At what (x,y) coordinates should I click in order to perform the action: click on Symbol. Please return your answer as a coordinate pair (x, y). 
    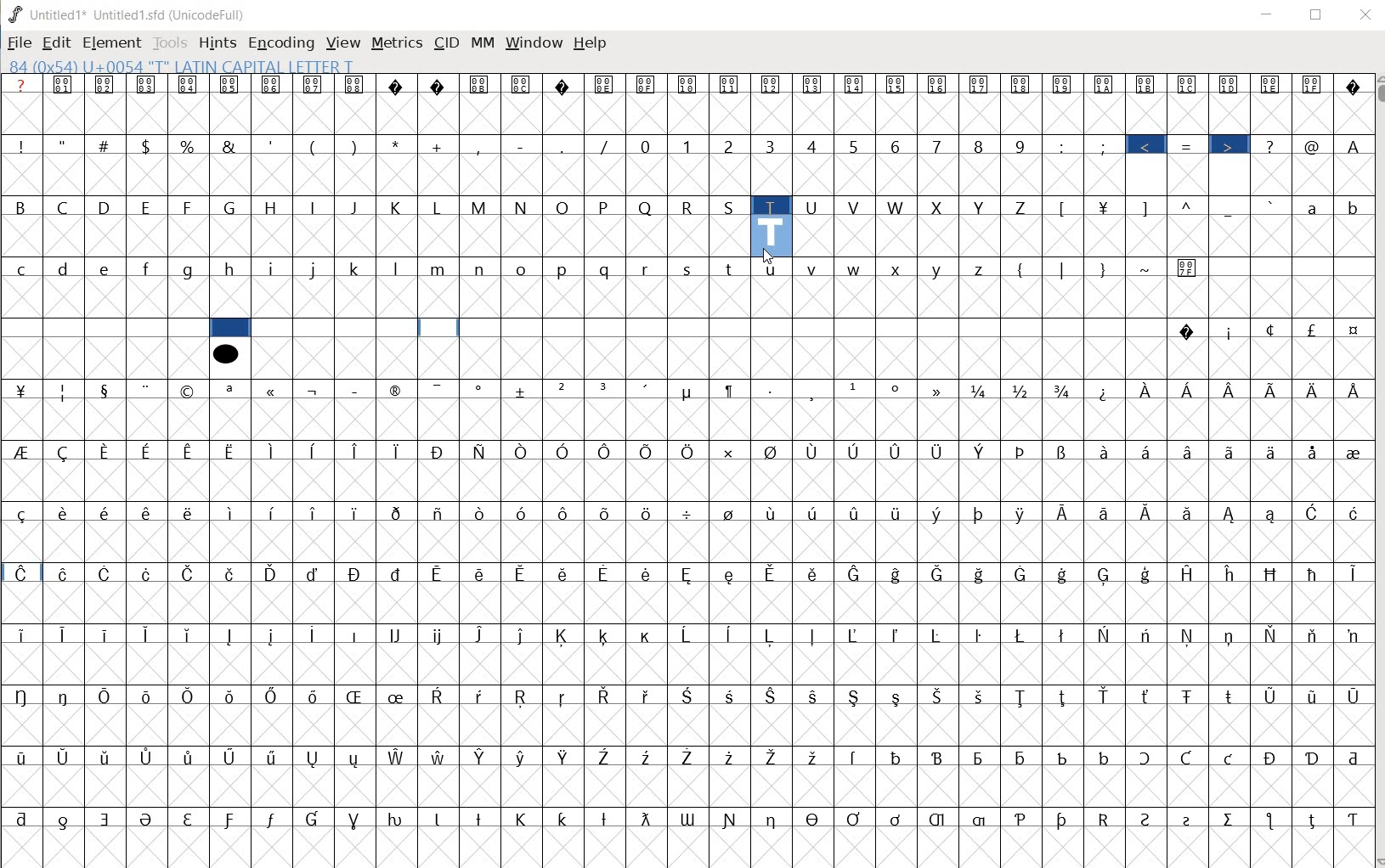
    Looking at the image, I should click on (1185, 758).